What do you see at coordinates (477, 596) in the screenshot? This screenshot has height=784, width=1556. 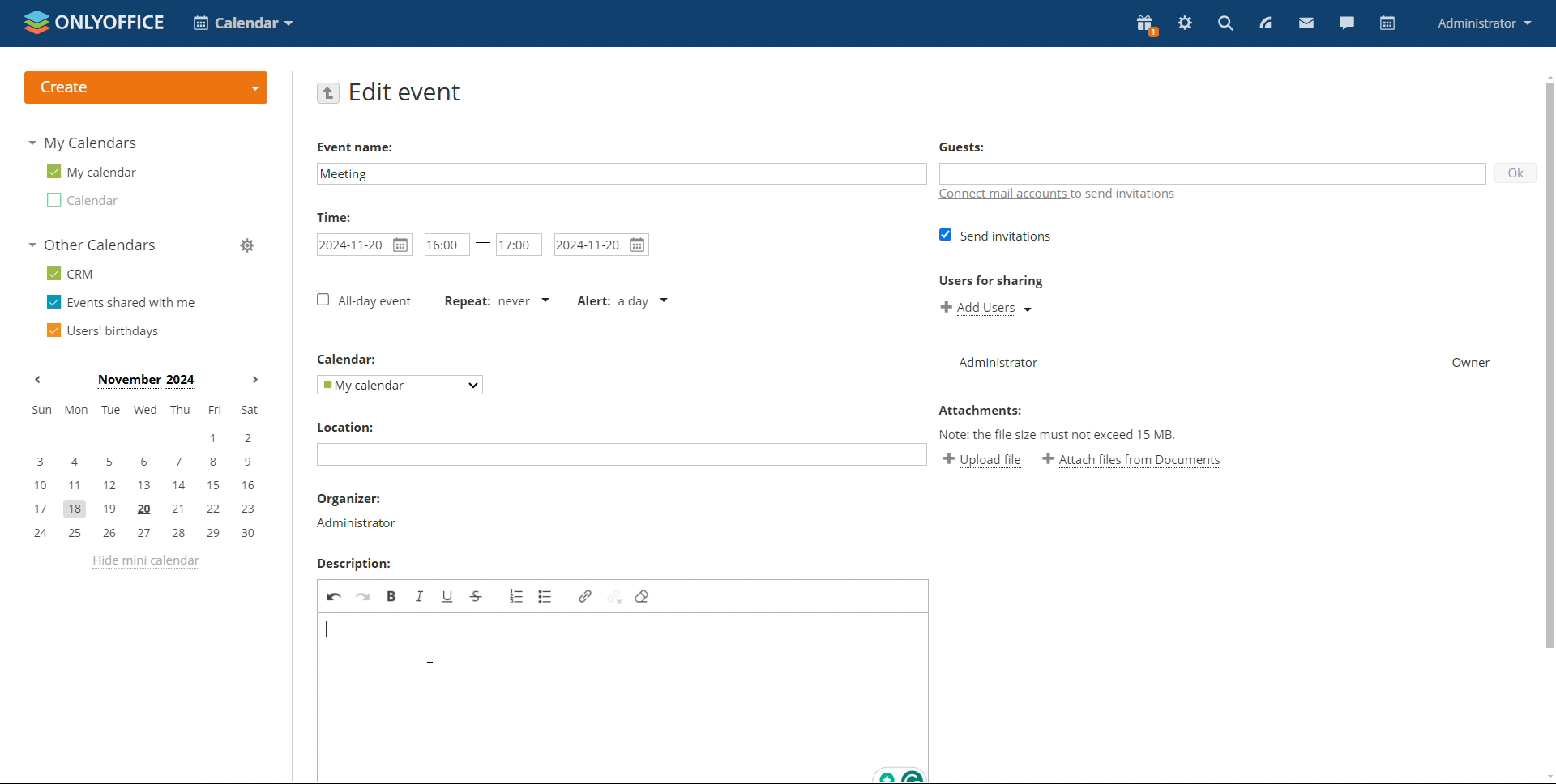 I see `strikethrough` at bounding box center [477, 596].